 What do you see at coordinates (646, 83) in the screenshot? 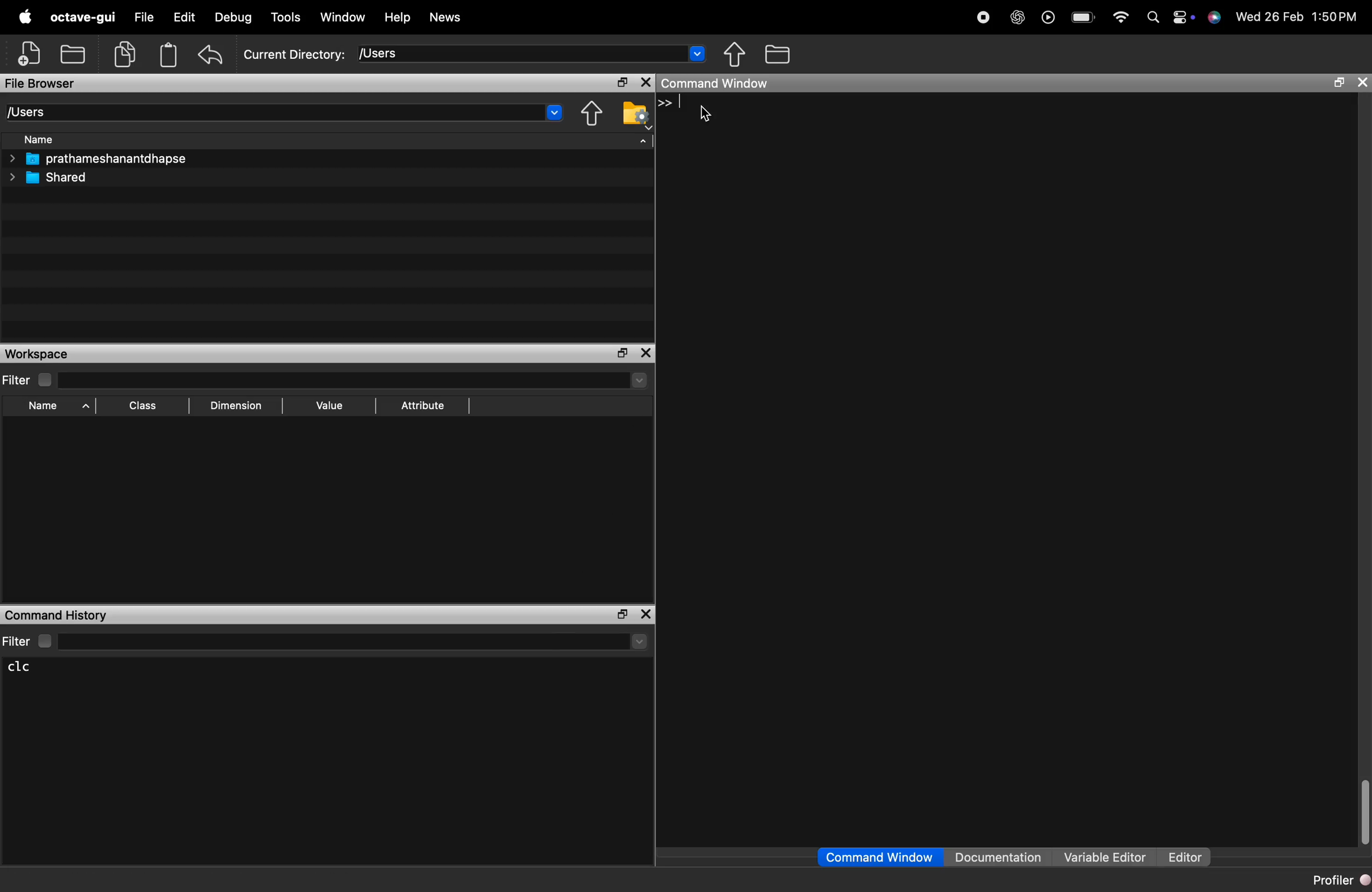
I see `close` at bounding box center [646, 83].